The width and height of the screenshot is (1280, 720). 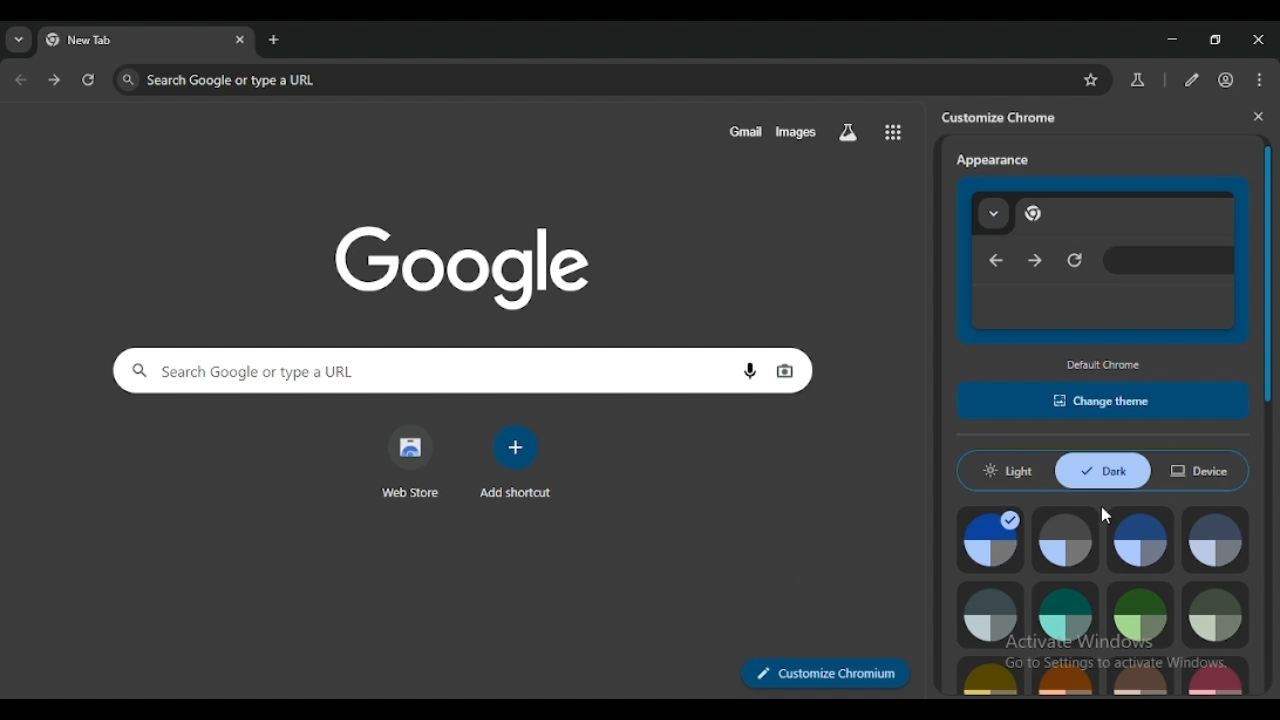 I want to click on search by image, so click(x=785, y=369).